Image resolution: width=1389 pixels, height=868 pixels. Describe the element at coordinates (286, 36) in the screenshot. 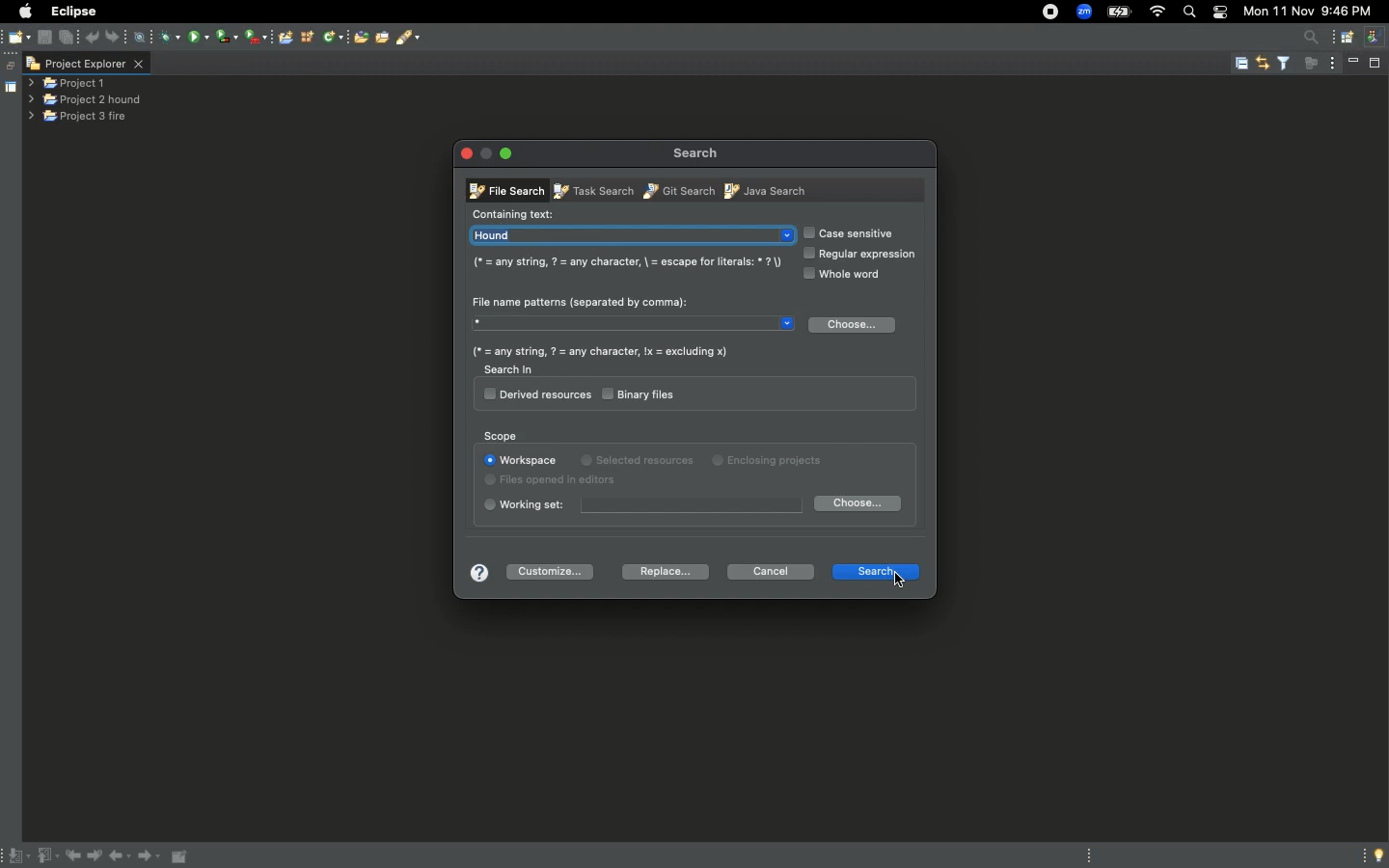

I see `open console` at that location.